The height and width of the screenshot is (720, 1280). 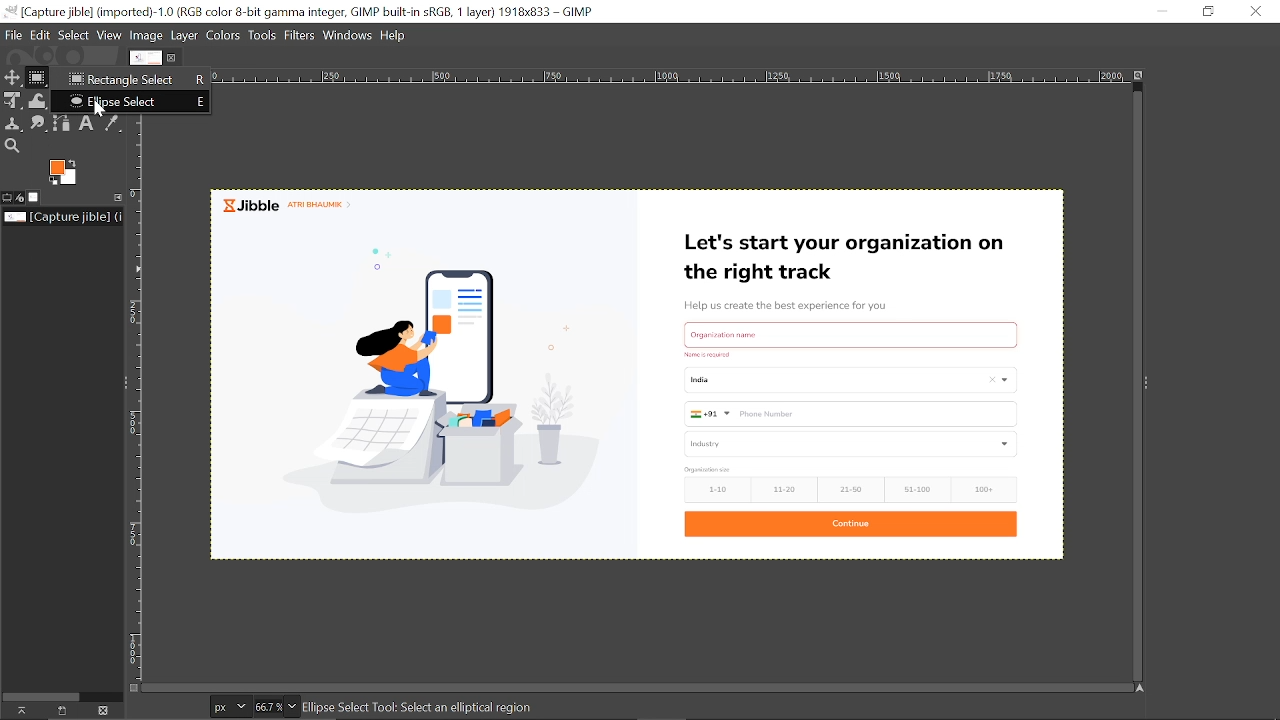 I want to click on Delete this image, so click(x=106, y=710).